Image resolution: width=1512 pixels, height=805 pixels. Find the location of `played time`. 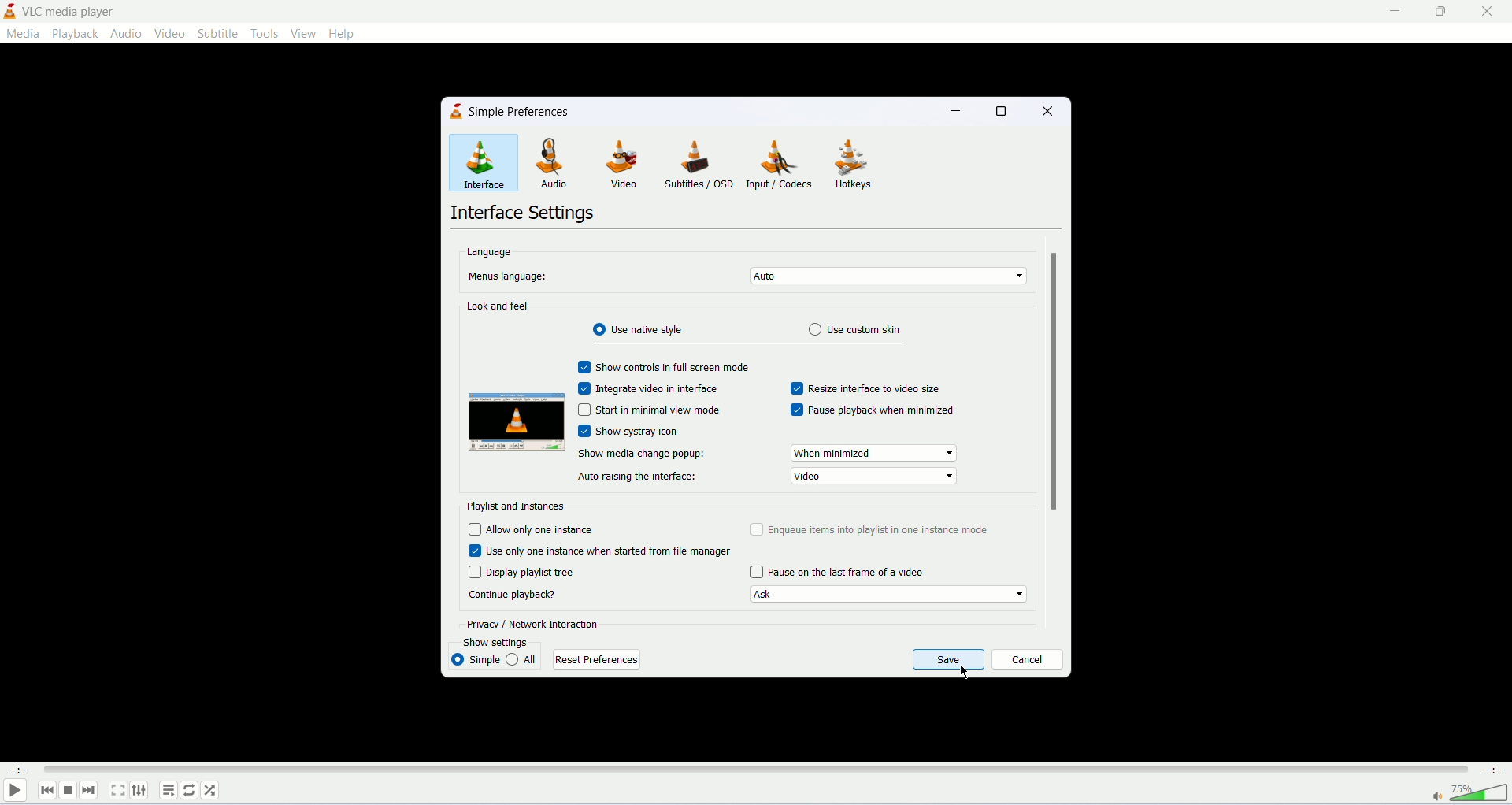

played time is located at coordinates (15, 771).